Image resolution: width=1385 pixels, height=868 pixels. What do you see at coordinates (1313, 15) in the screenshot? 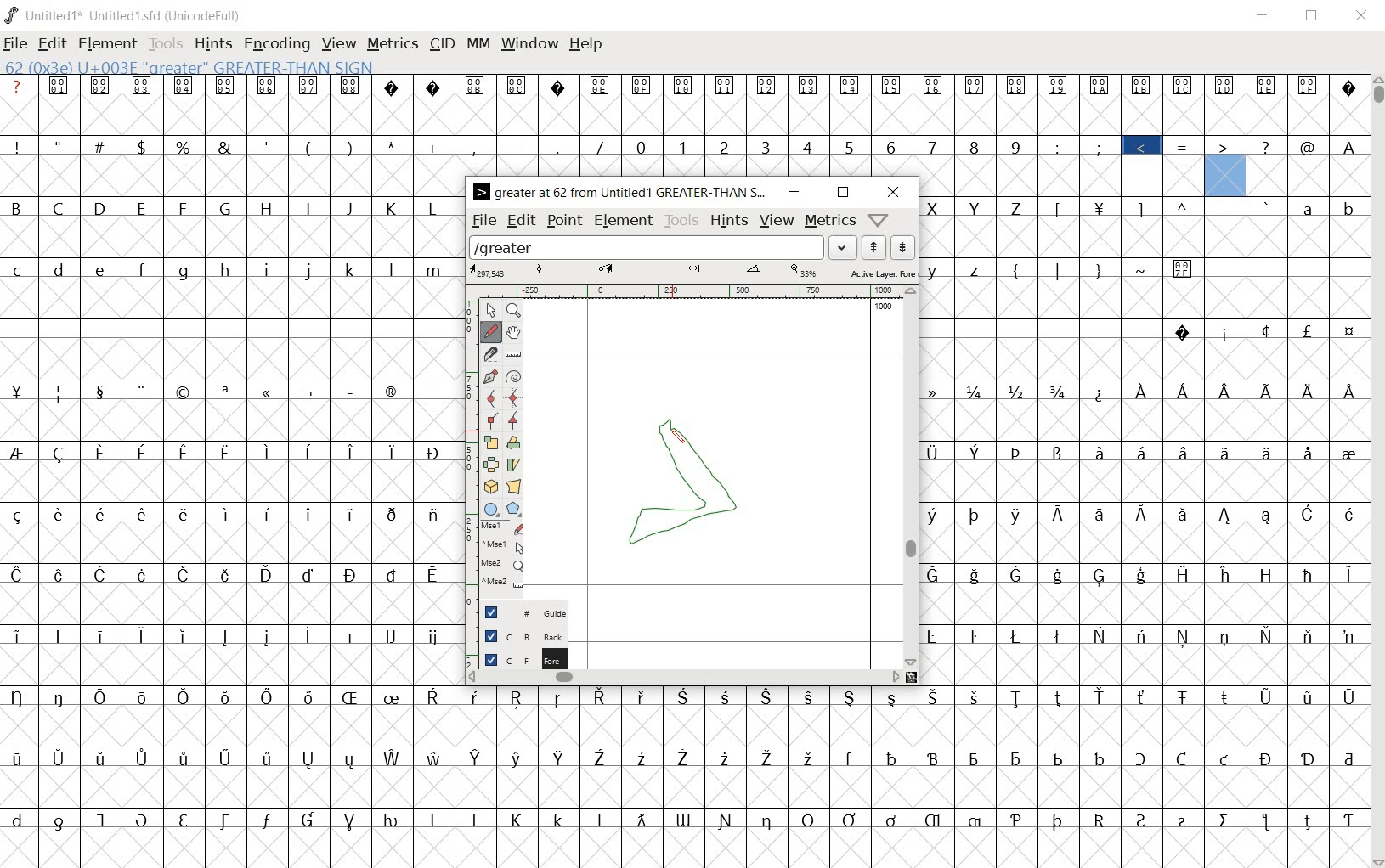
I see `restore down` at bounding box center [1313, 15].